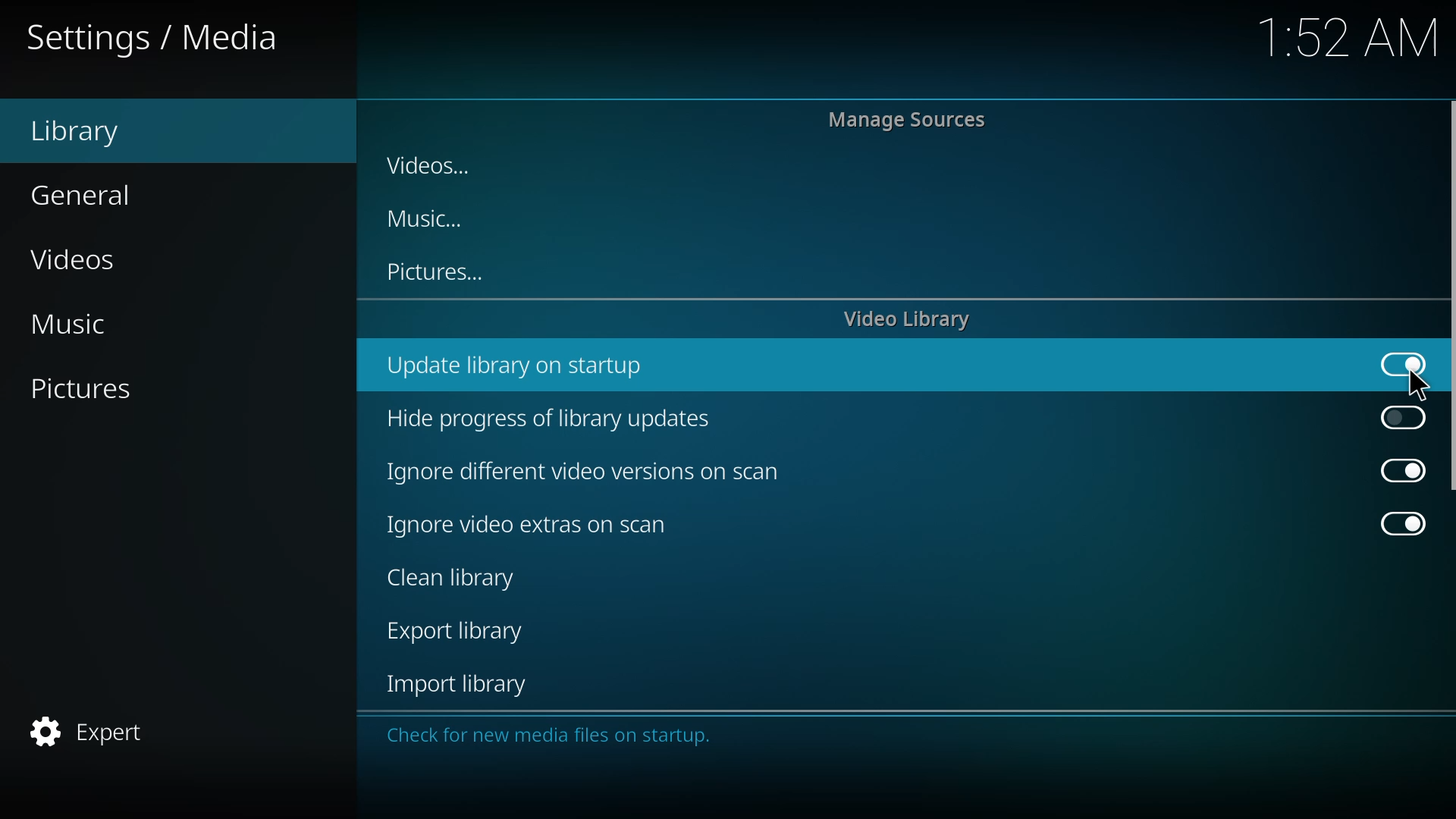 This screenshot has width=1456, height=819. Describe the element at coordinates (911, 320) in the screenshot. I see `video library` at that location.